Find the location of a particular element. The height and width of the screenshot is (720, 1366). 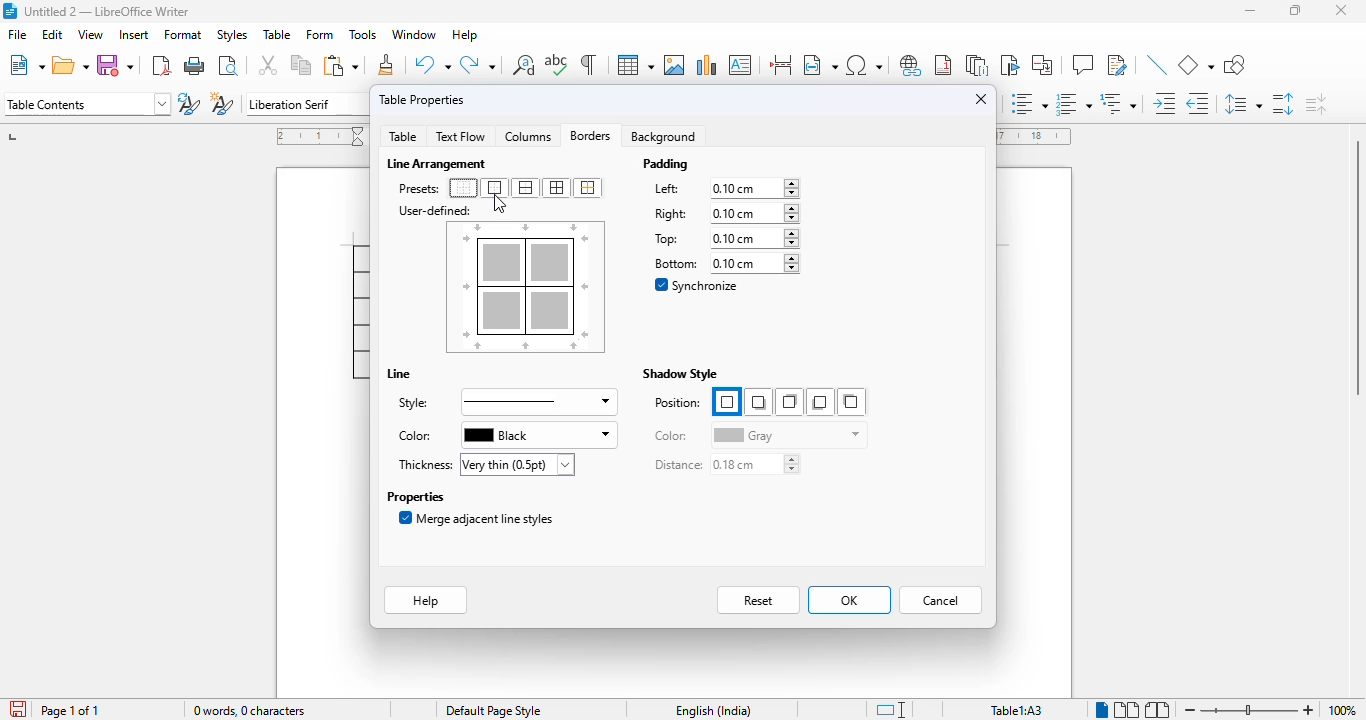

close is located at coordinates (1343, 10).